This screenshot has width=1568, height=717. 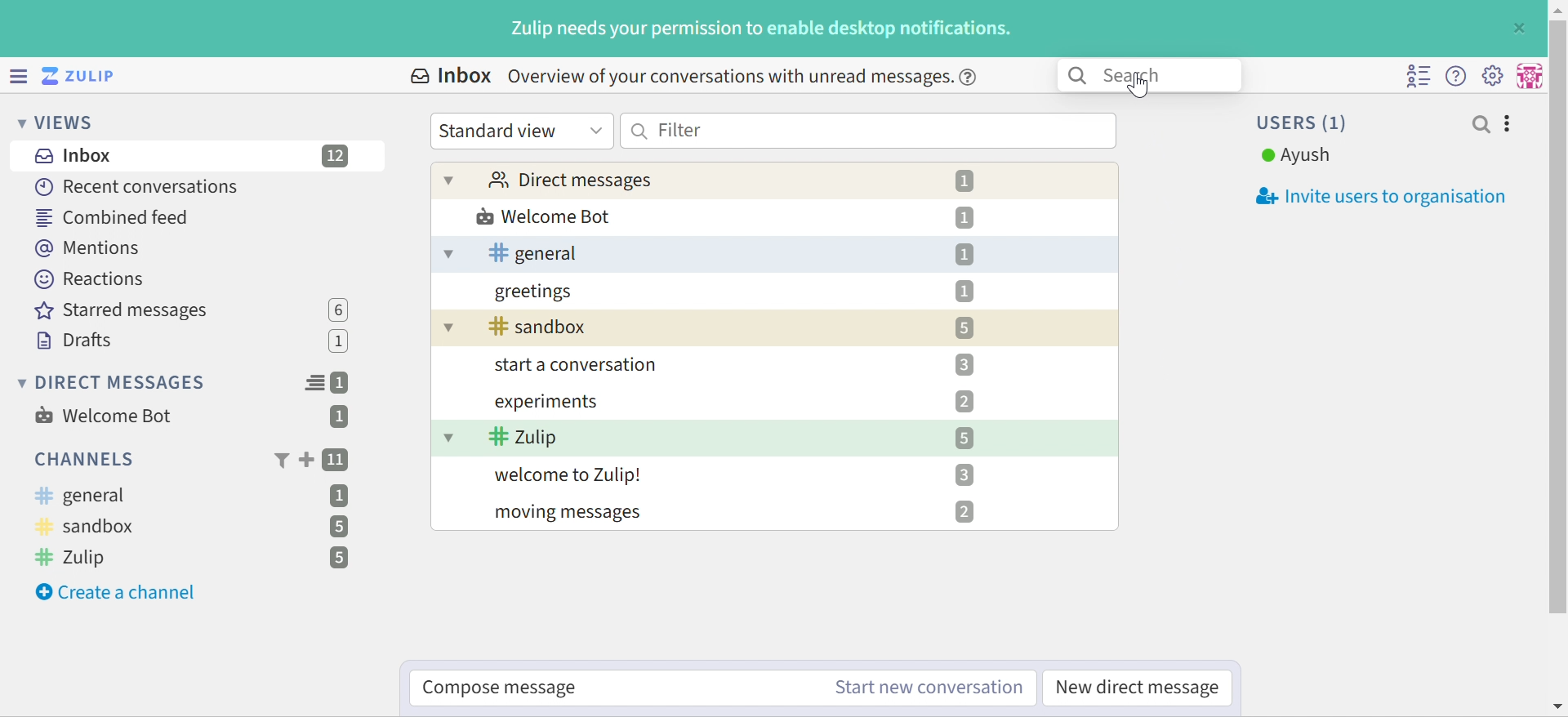 What do you see at coordinates (523, 437) in the screenshot?
I see `#Zulip` at bounding box center [523, 437].